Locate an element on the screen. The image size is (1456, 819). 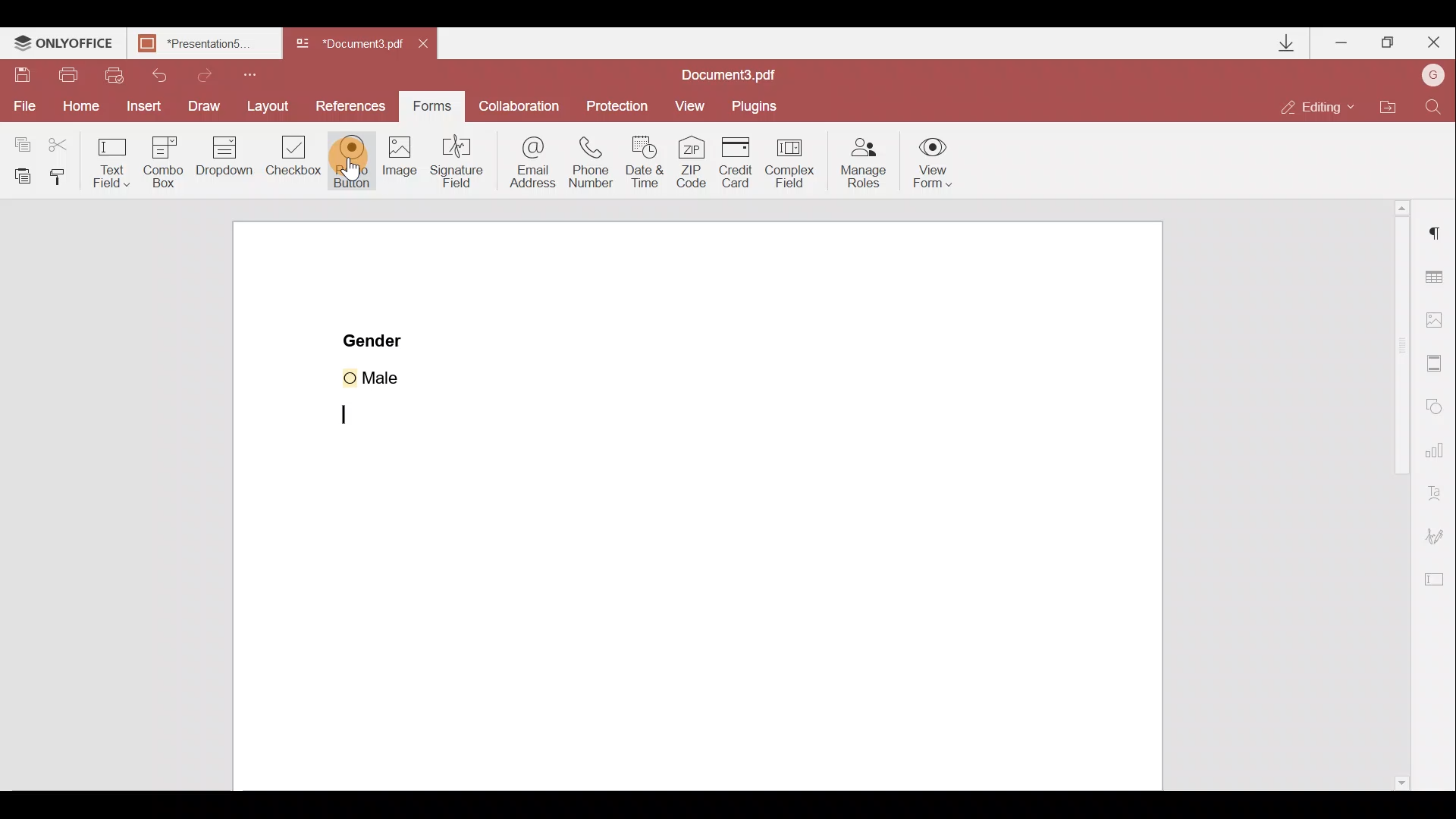
Downloads is located at coordinates (1278, 41).